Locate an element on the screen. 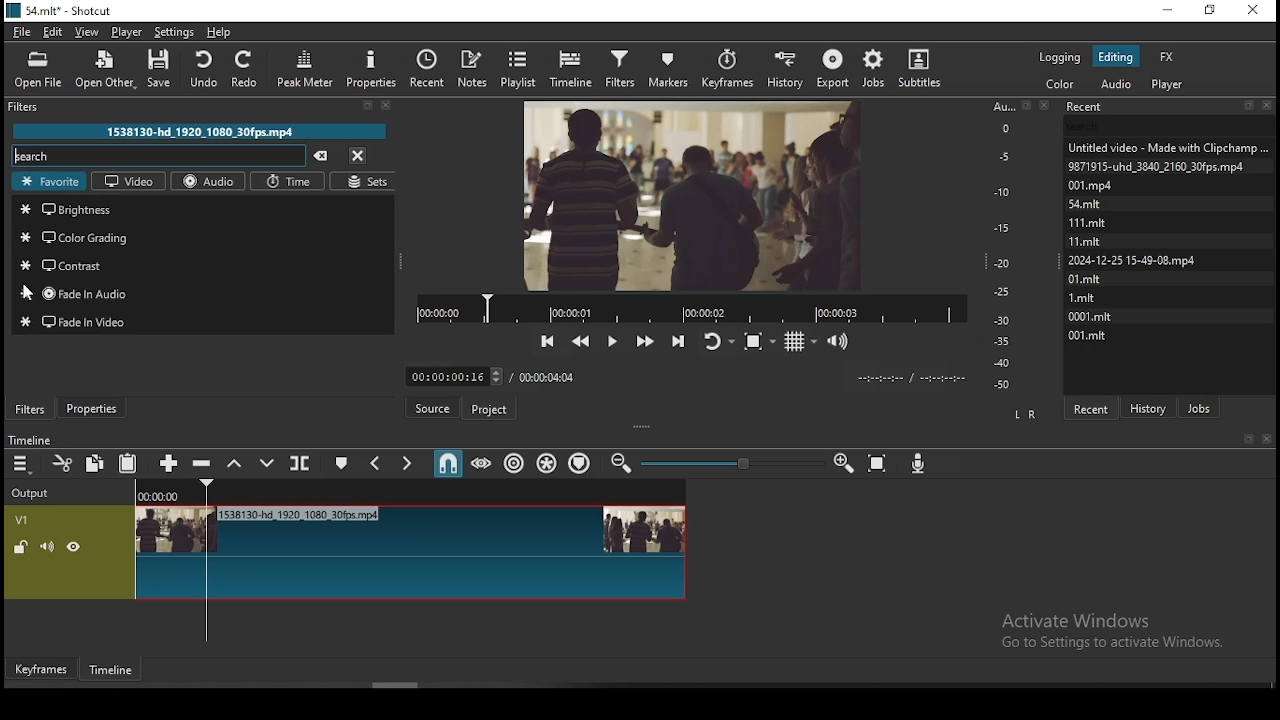 The height and width of the screenshot is (720, 1280). restore is located at coordinates (1212, 13).